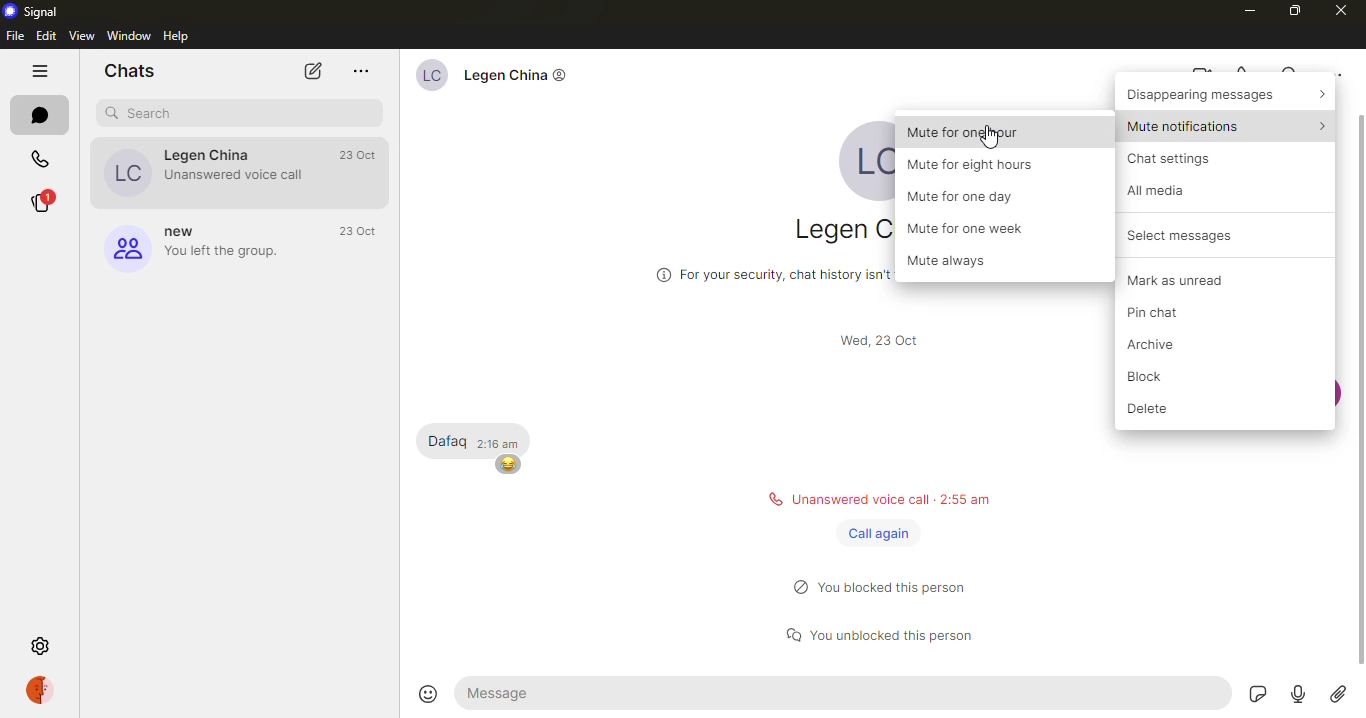  I want to click on delete, so click(1162, 411).